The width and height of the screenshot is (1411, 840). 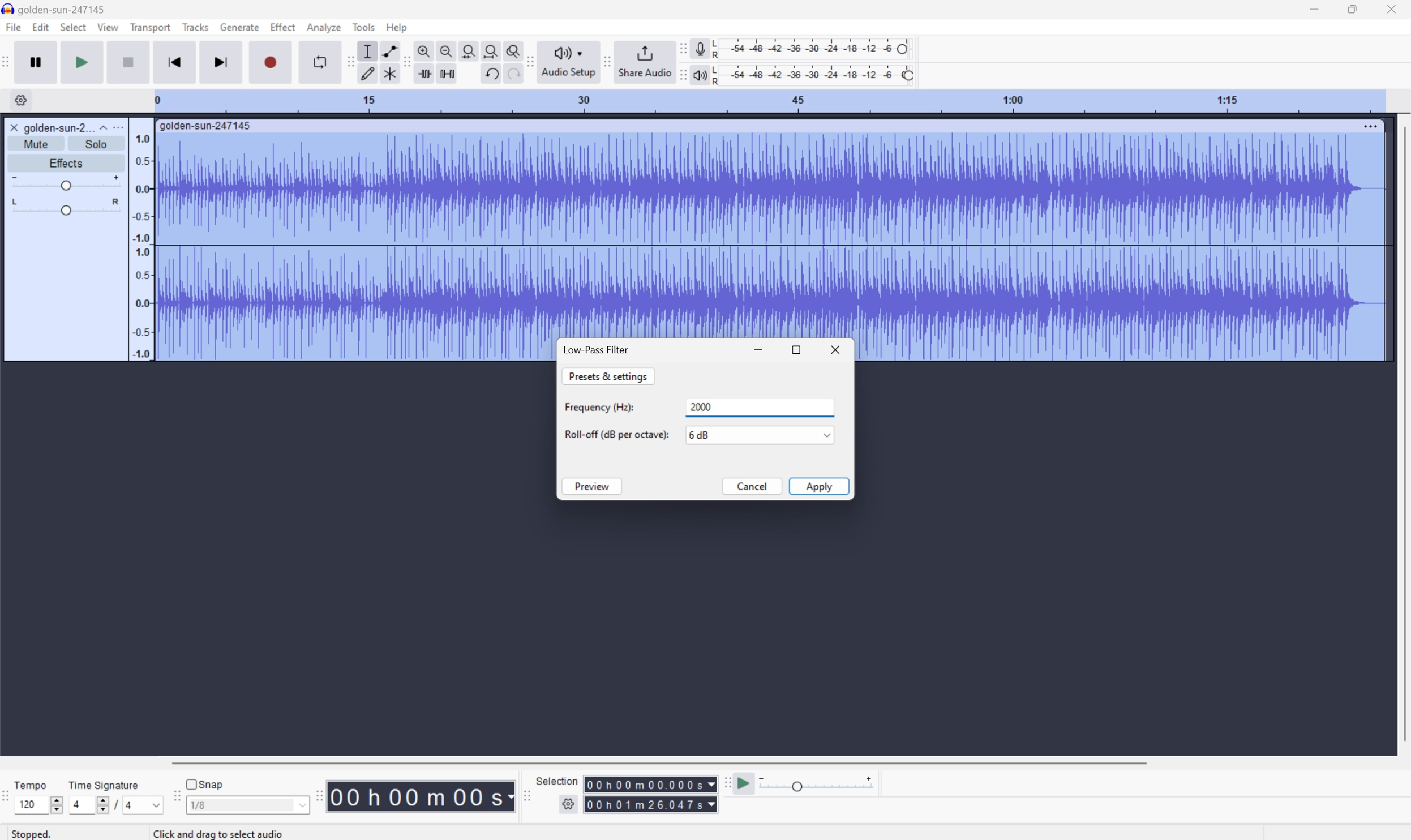 I want to click on Scale, so click(x=767, y=100).